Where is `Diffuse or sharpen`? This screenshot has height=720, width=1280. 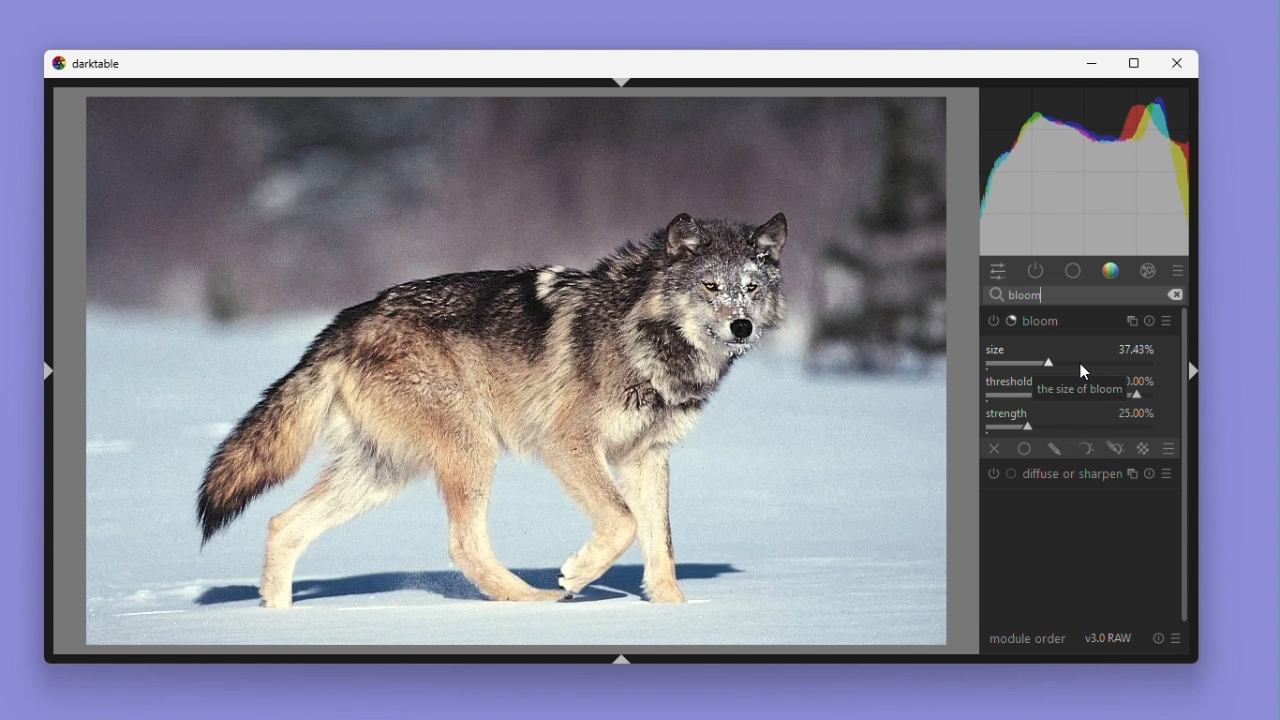
Diffuse or sharpen is located at coordinates (1070, 473).